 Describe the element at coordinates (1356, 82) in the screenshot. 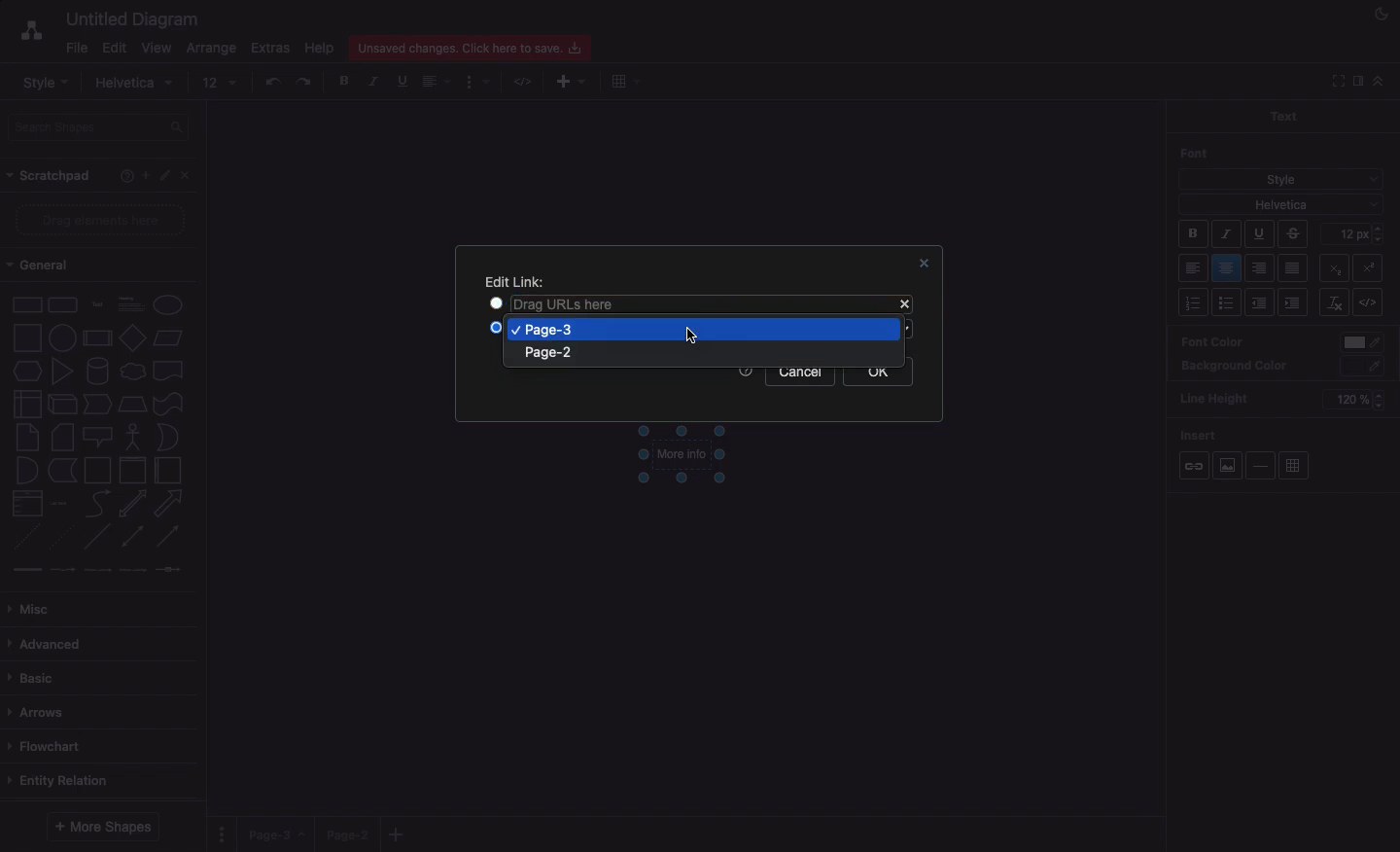

I see `Sidebar` at that location.